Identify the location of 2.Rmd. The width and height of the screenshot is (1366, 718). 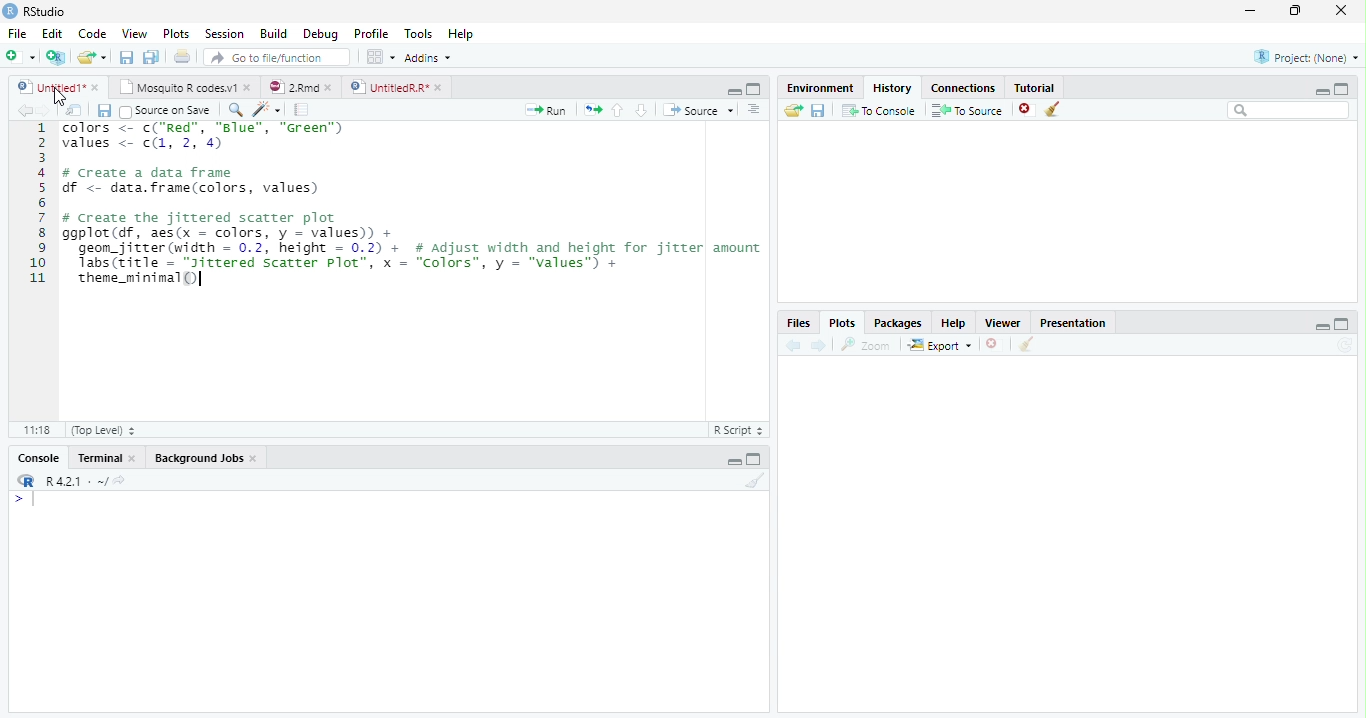
(291, 87).